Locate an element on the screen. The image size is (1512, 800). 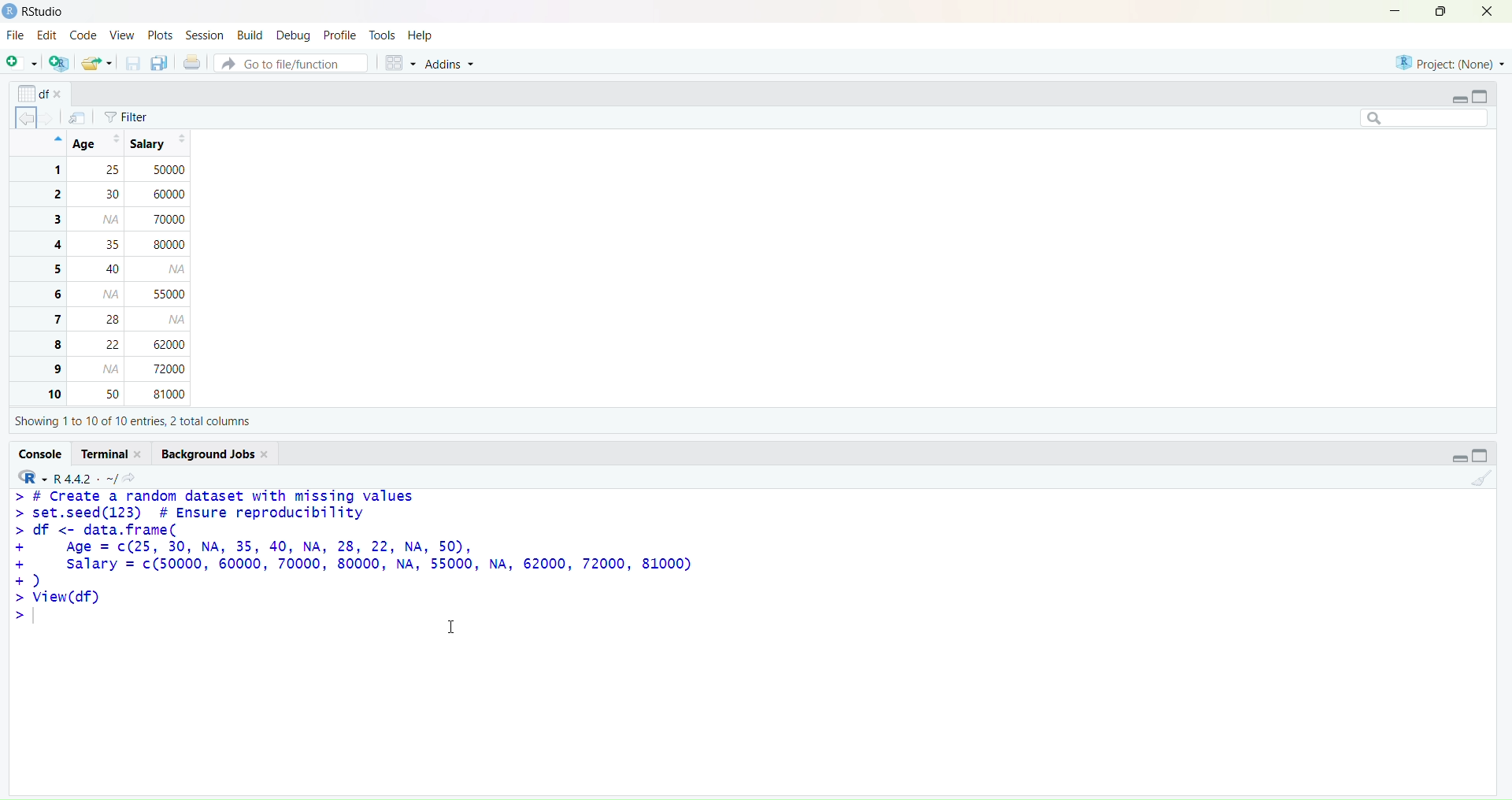
minimize is located at coordinates (1390, 10).